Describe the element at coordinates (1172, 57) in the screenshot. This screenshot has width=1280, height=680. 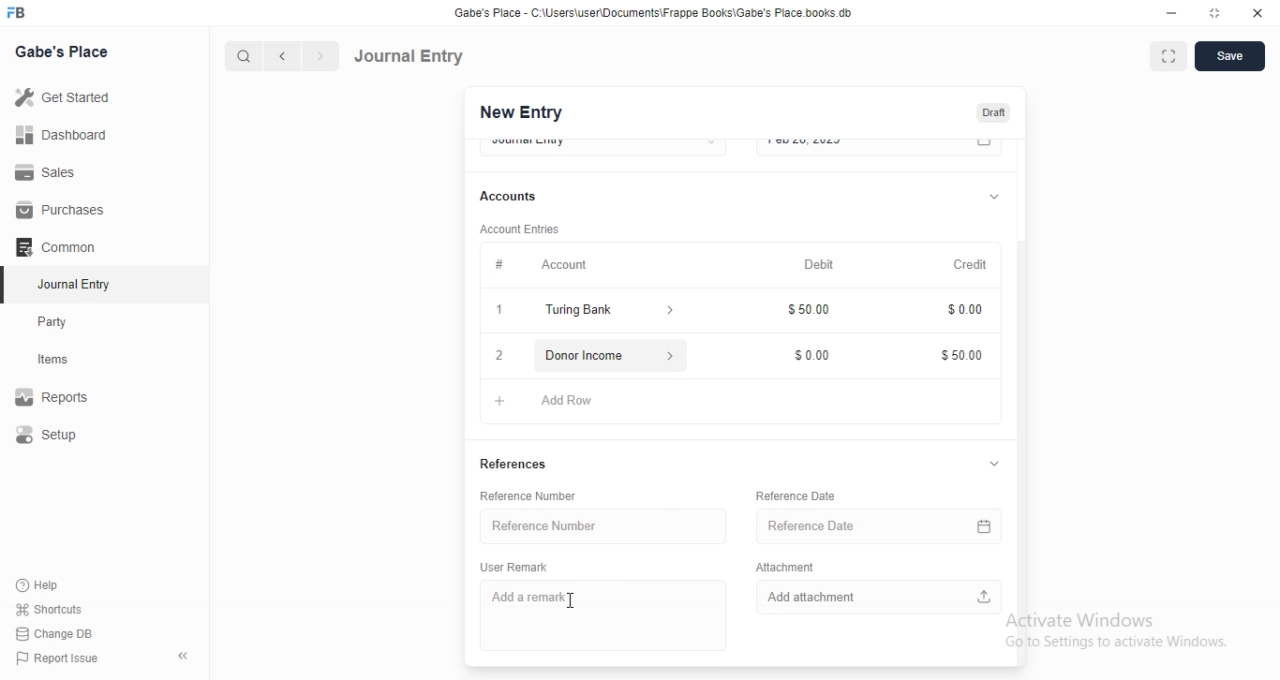
I see `full screen` at that location.